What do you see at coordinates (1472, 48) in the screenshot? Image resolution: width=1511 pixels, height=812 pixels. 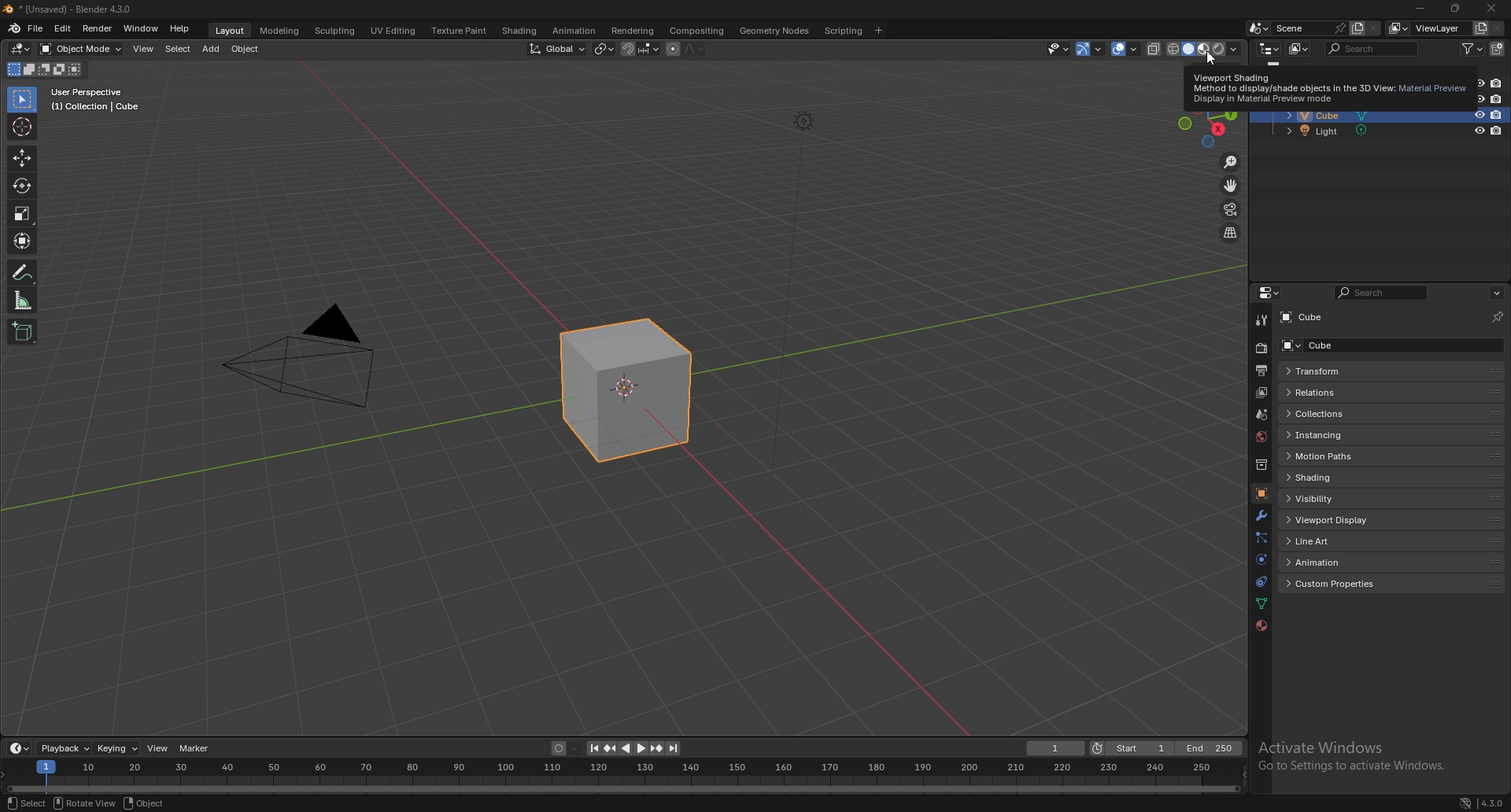 I see `filter` at bounding box center [1472, 48].